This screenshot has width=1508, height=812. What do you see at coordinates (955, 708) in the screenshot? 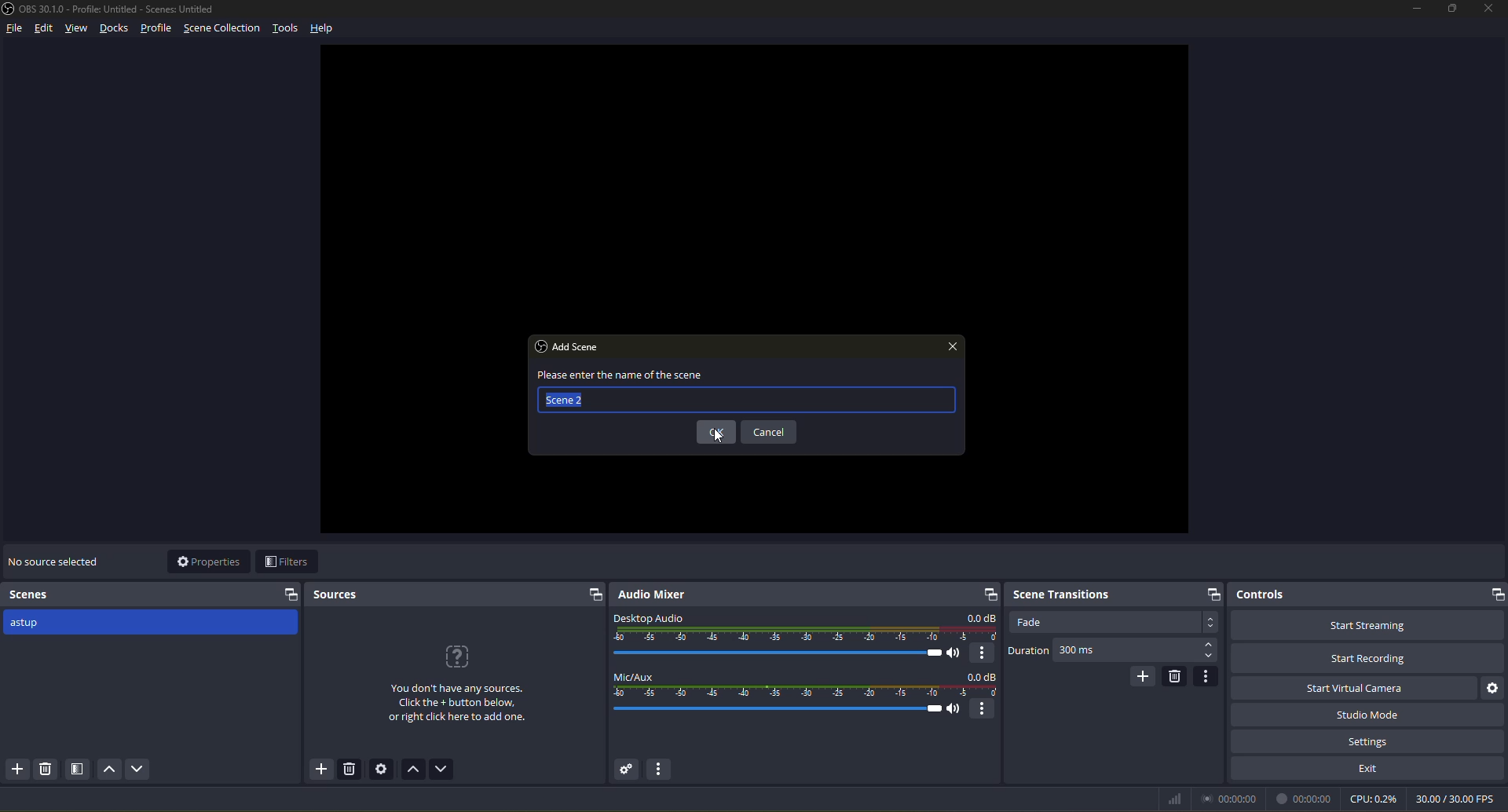
I see `mute` at bounding box center [955, 708].